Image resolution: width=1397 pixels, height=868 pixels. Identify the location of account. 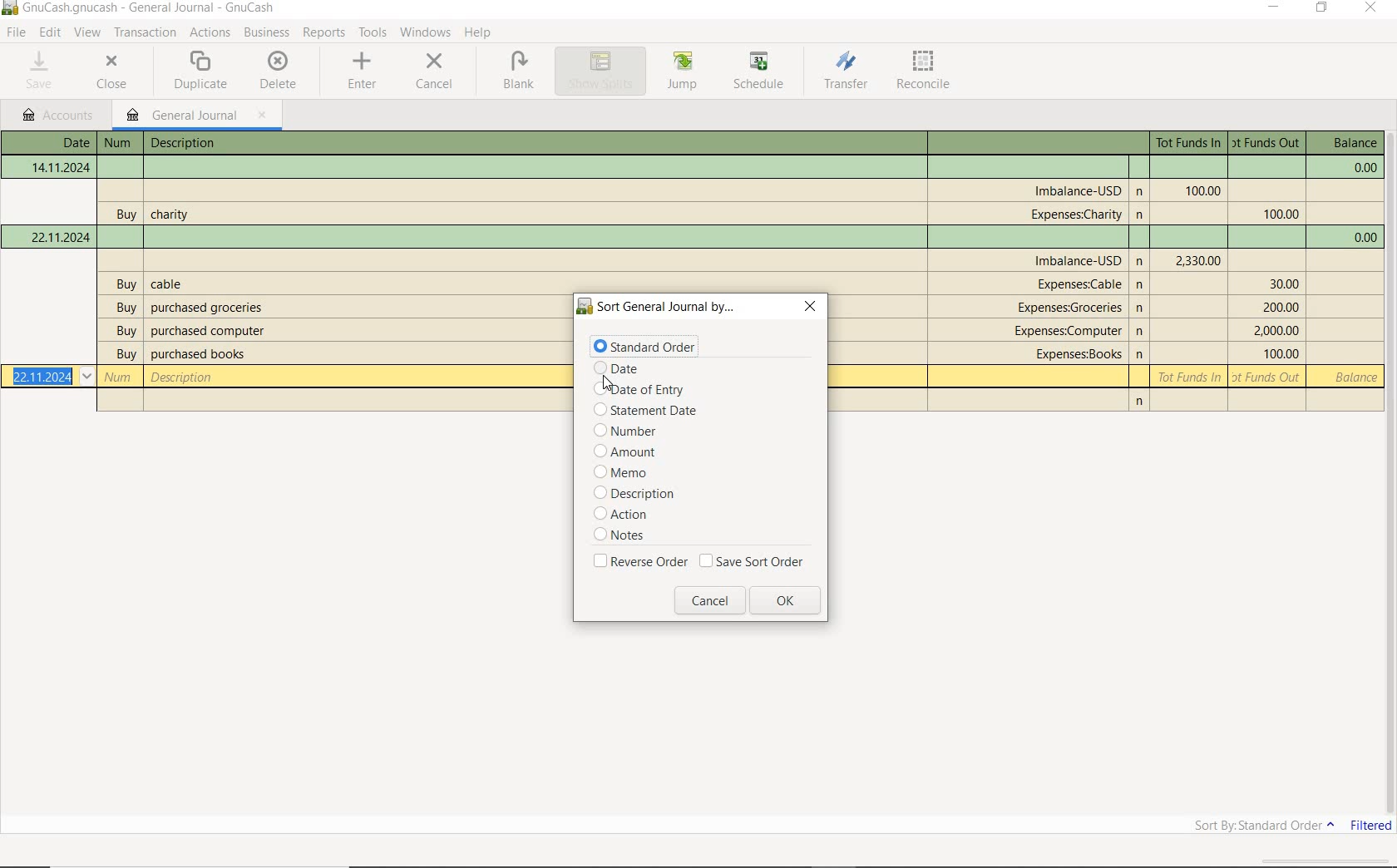
(1076, 215).